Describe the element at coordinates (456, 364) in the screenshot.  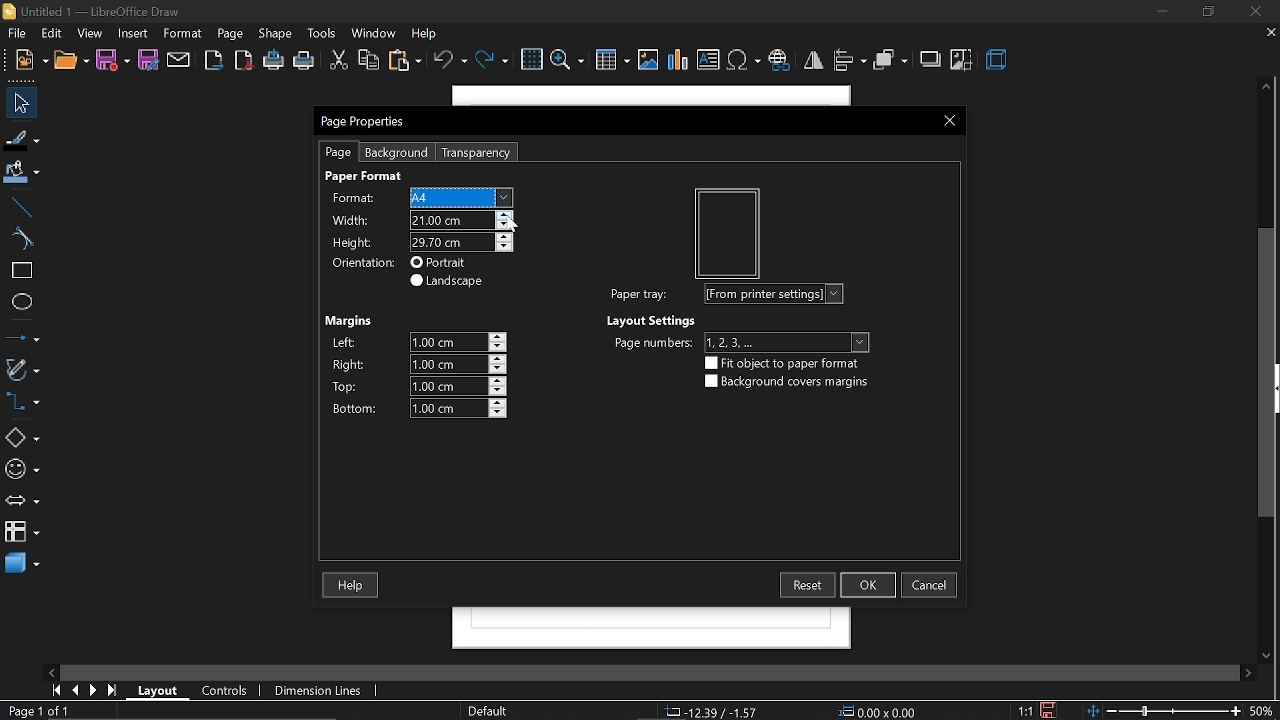
I see `1.00cm` at that location.